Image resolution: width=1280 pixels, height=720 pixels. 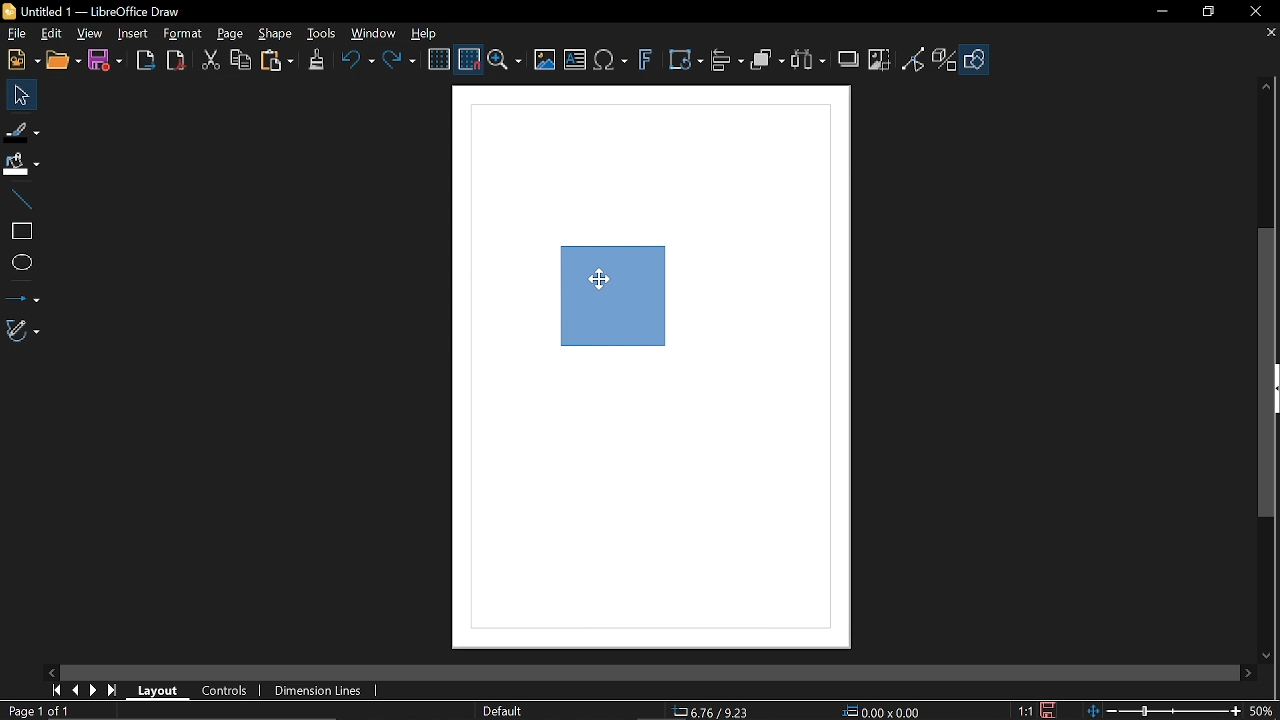 What do you see at coordinates (727, 60) in the screenshot?
I see `Align` at bounding box center [727, 60].